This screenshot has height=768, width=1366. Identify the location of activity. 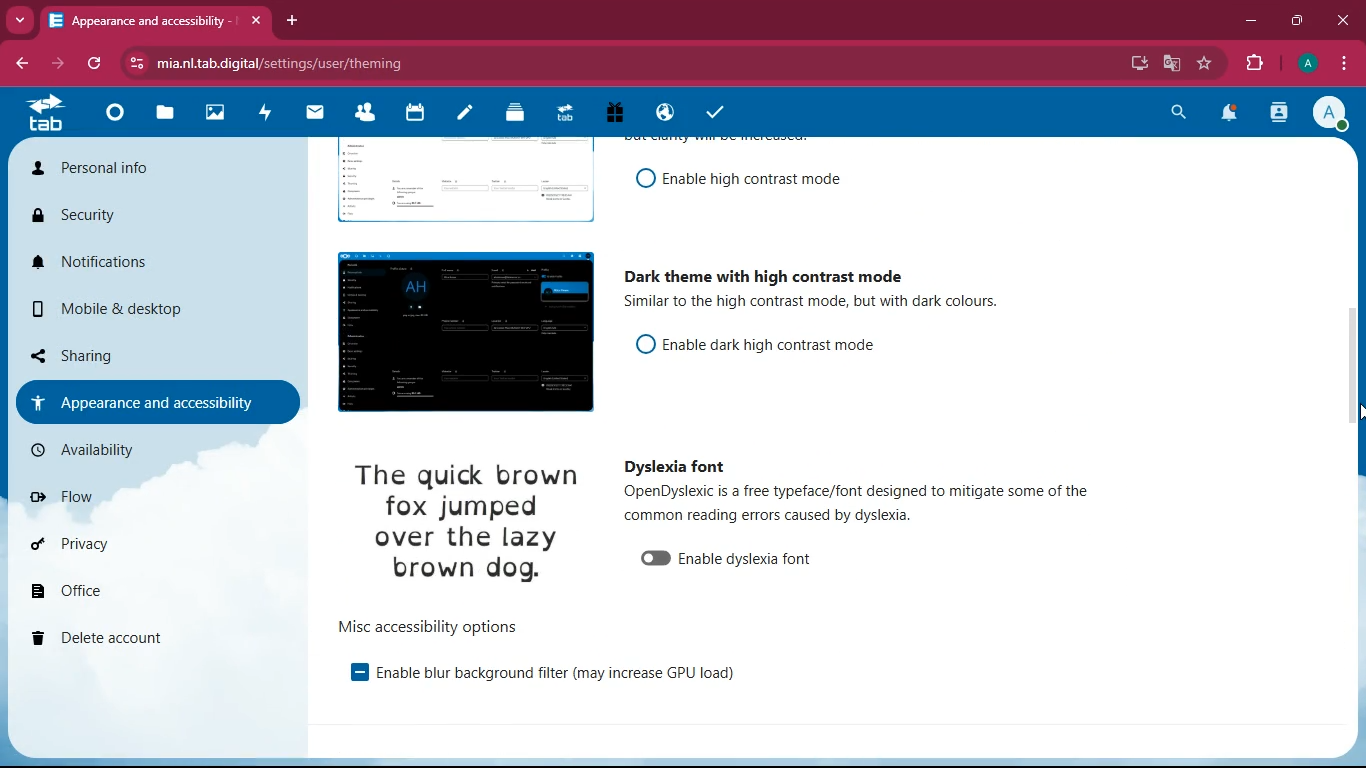
(270, 114).